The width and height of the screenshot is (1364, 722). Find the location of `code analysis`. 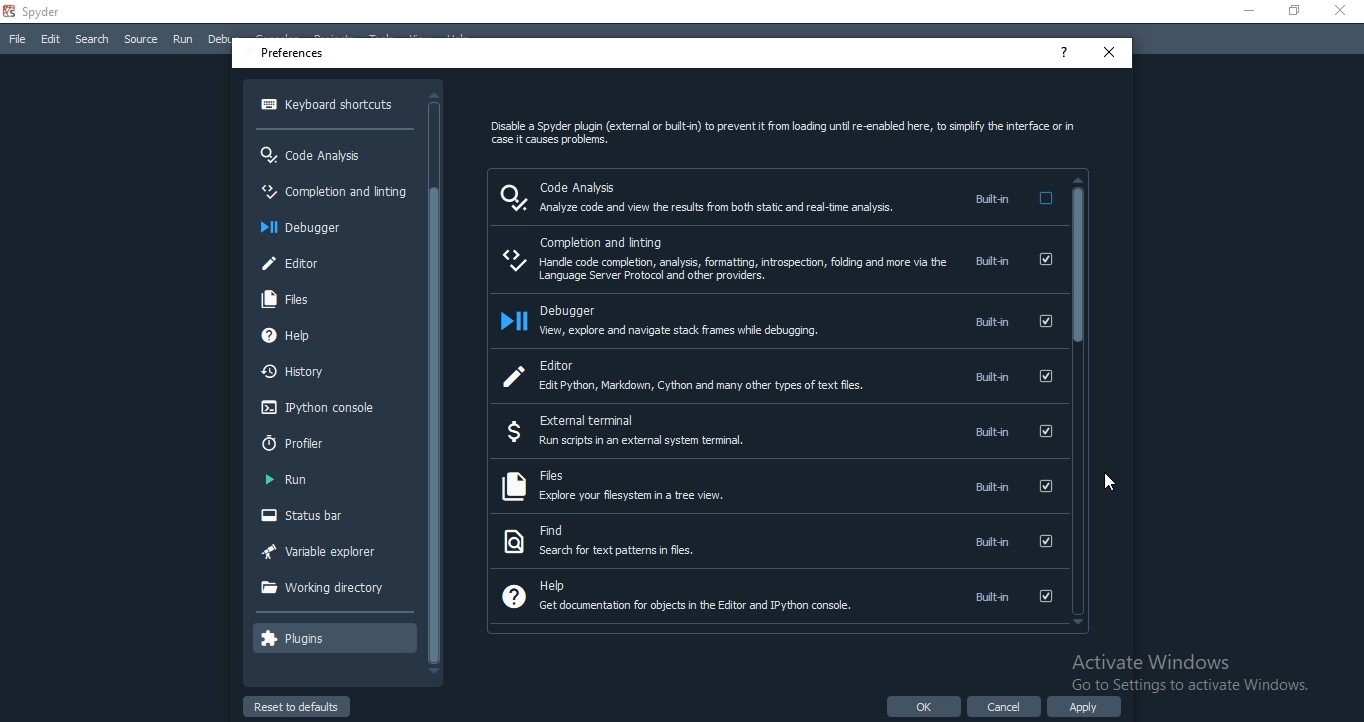

code analysis is located at coordinates (775, 198).